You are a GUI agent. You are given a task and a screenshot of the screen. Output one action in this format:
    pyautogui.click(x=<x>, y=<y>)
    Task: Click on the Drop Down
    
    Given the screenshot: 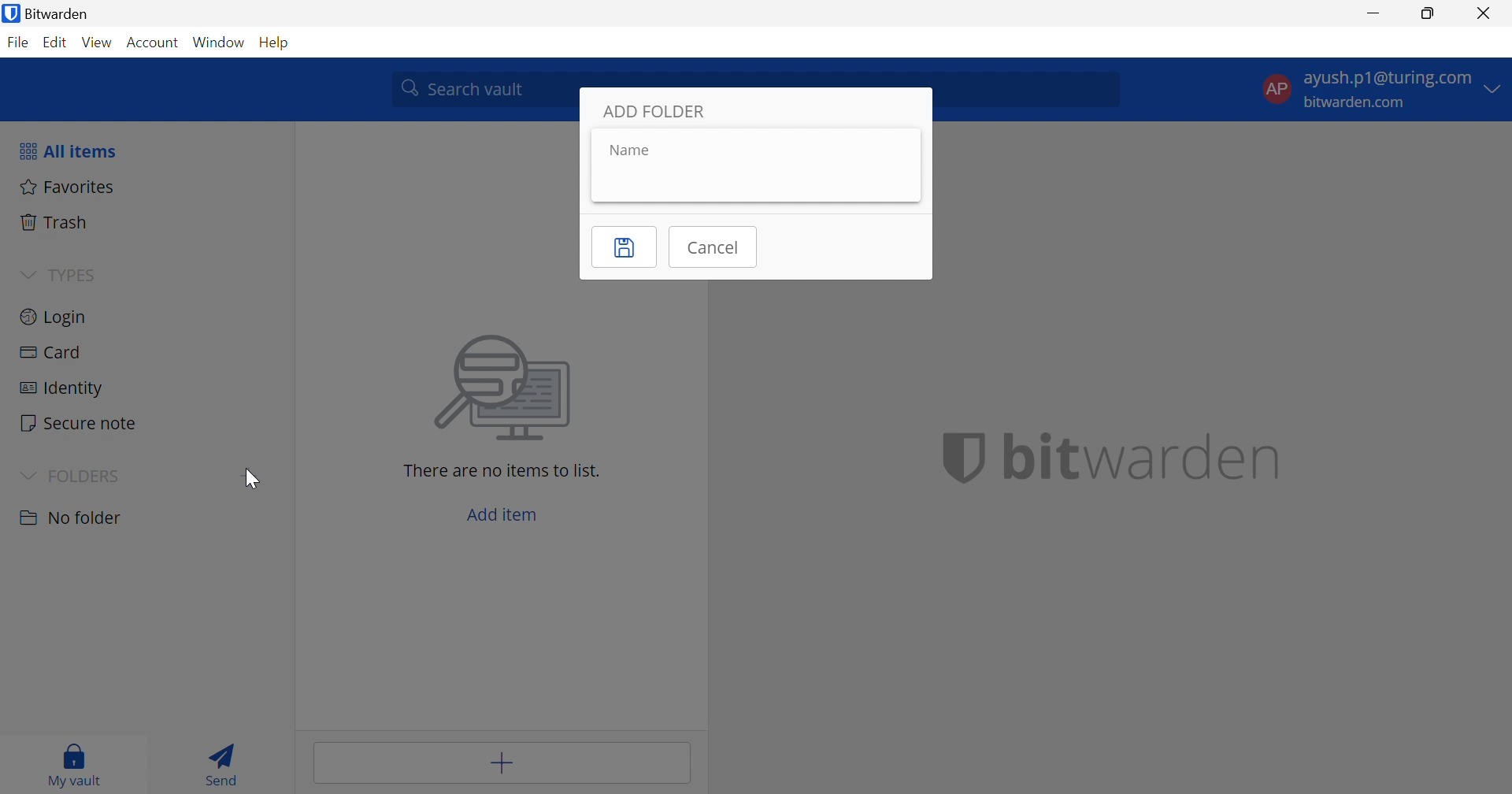 What is the action you would take?
    pyautogui.click(x=25, y=273)
    